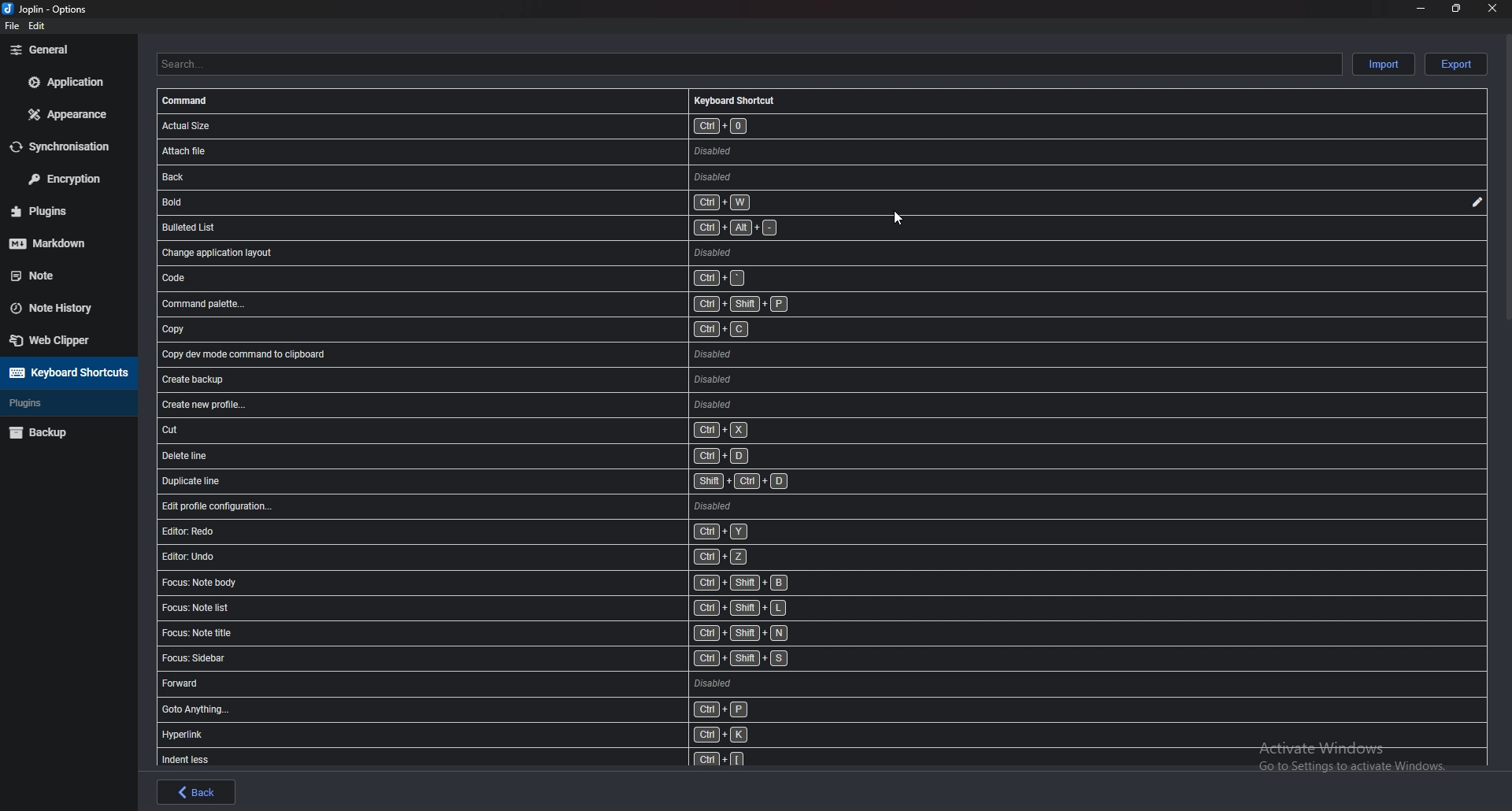 This screenshot has width=1512, height=811. Describe the element at coordinates (901, 215) in the screenshot. I see `cursor` at that location.